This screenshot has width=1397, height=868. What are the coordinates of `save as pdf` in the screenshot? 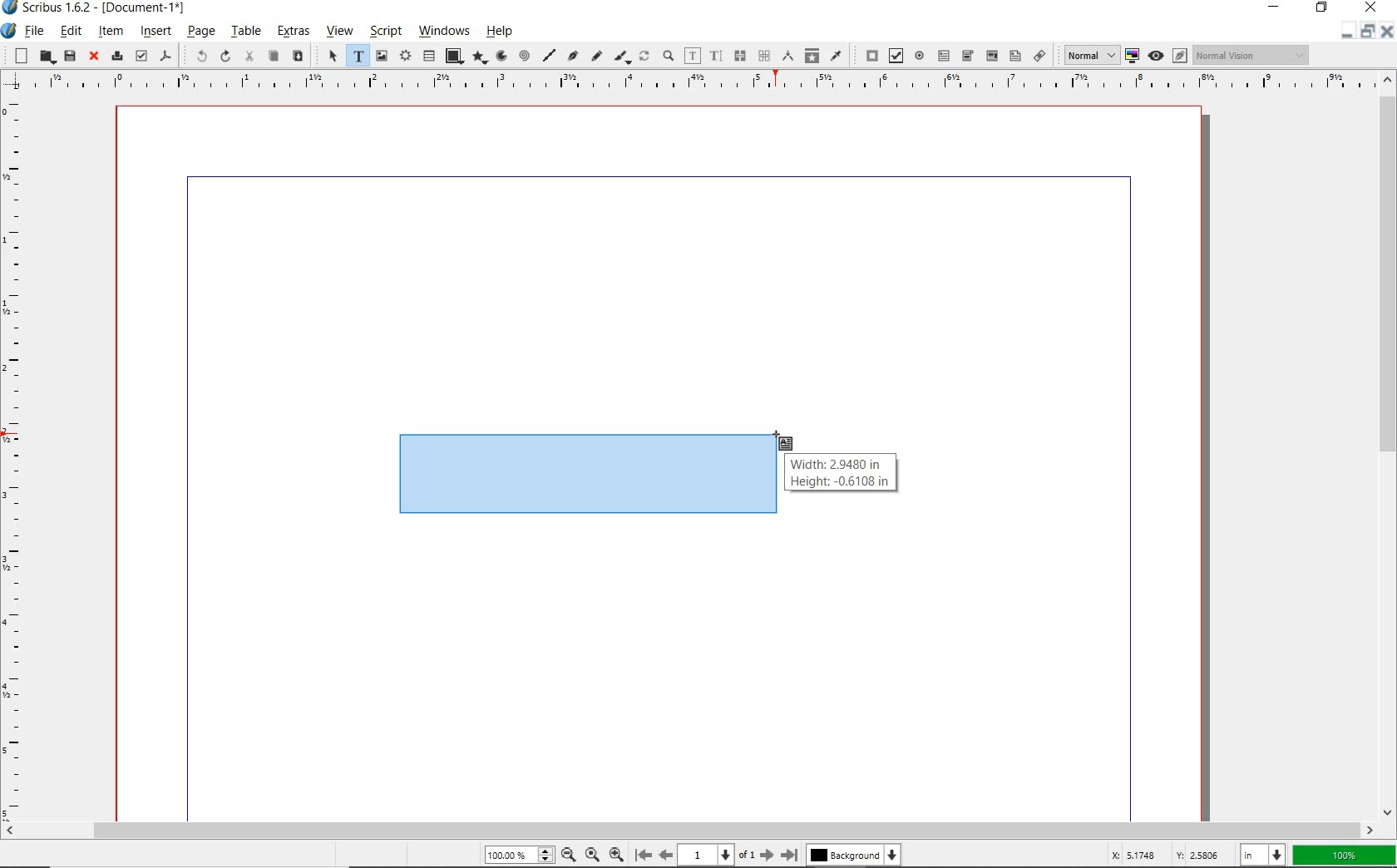 It's located at (166, 57).